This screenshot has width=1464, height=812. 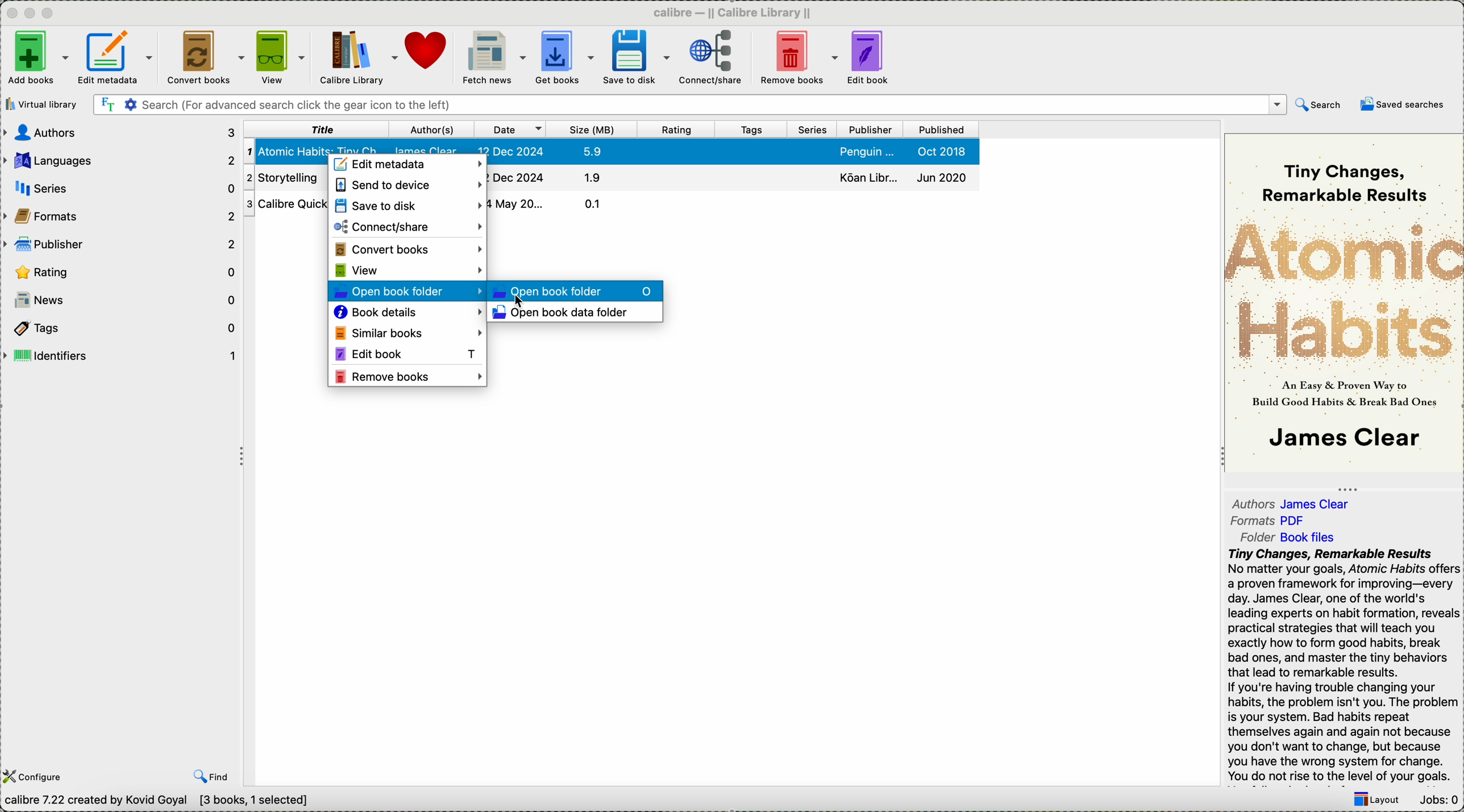 I want to click on search bar, so click(x=688, y=105).